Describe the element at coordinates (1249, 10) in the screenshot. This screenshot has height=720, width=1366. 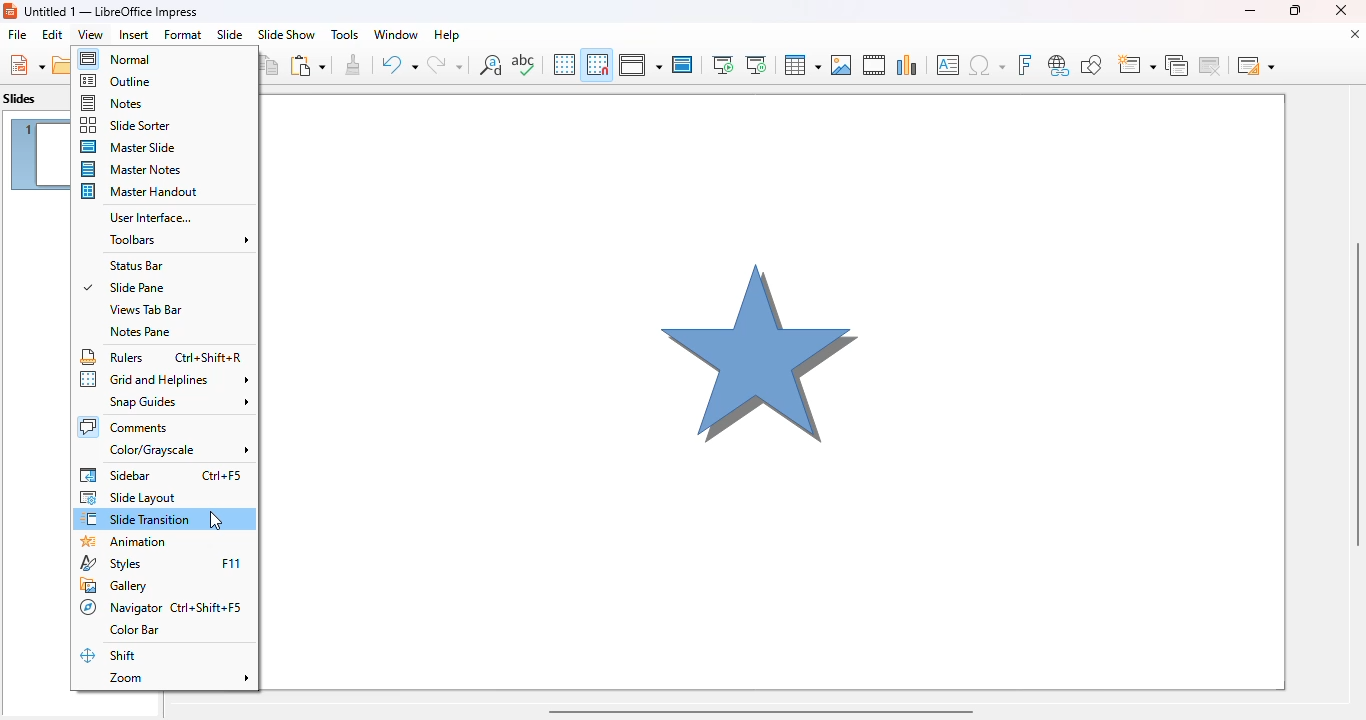
I see `minimize` at that location.